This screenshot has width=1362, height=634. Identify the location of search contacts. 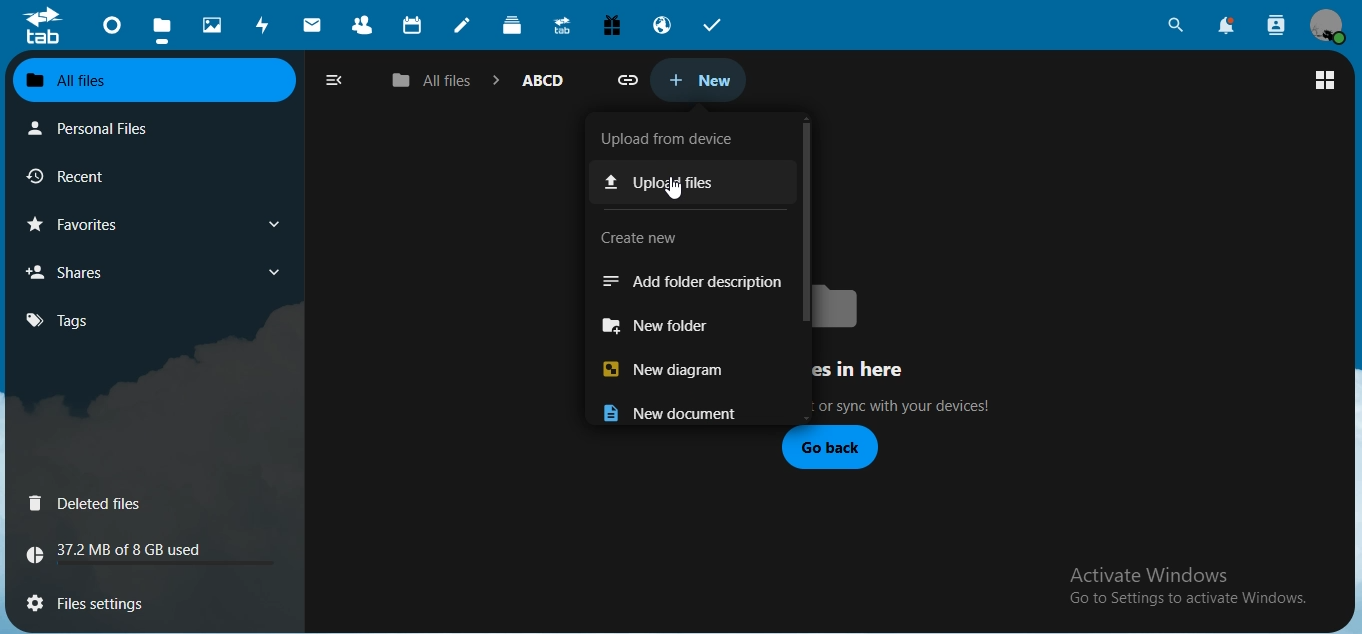
(1273, 24).